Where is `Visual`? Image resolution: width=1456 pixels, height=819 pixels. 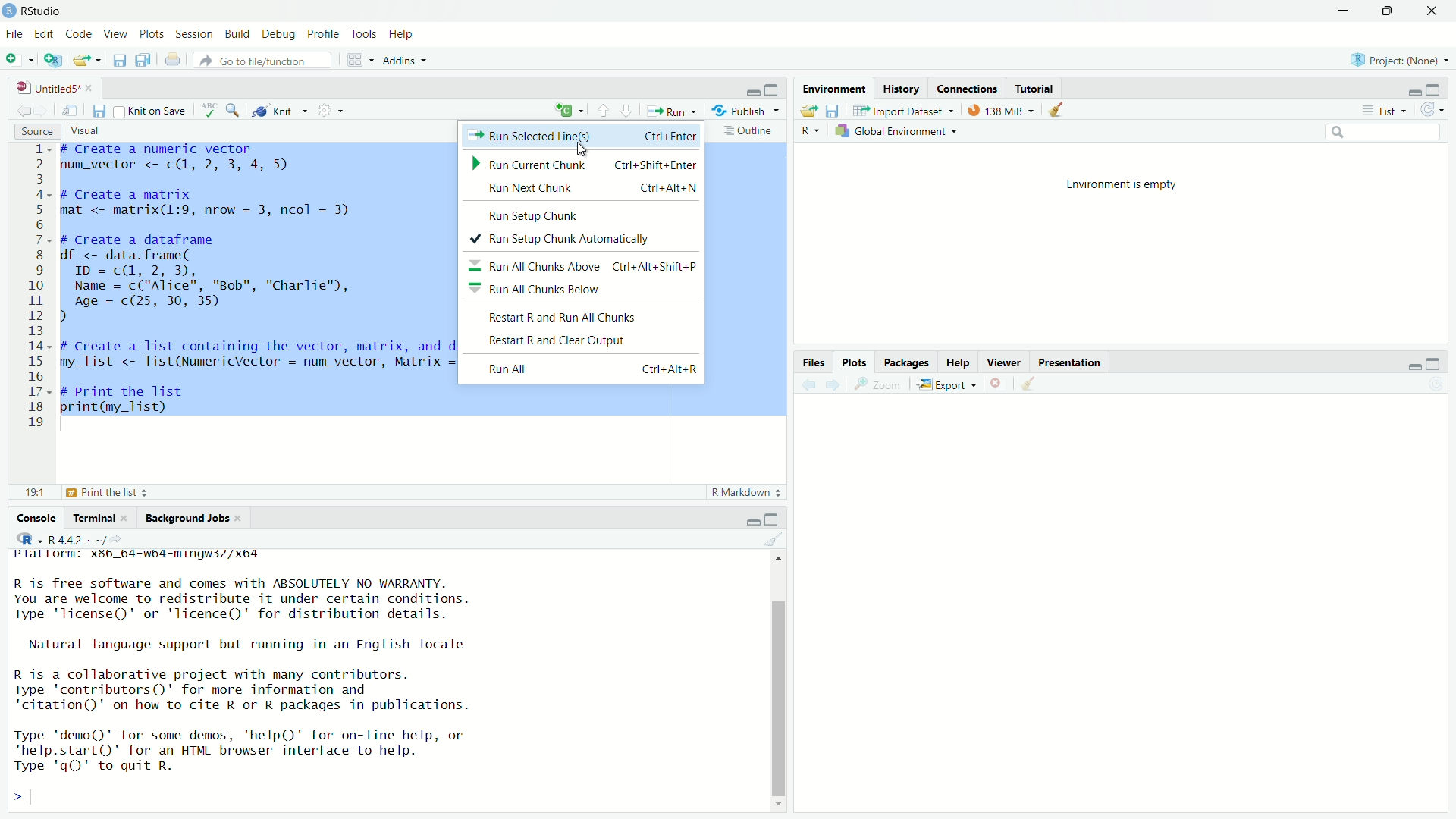 Visual is located at coordinates (93, 129).